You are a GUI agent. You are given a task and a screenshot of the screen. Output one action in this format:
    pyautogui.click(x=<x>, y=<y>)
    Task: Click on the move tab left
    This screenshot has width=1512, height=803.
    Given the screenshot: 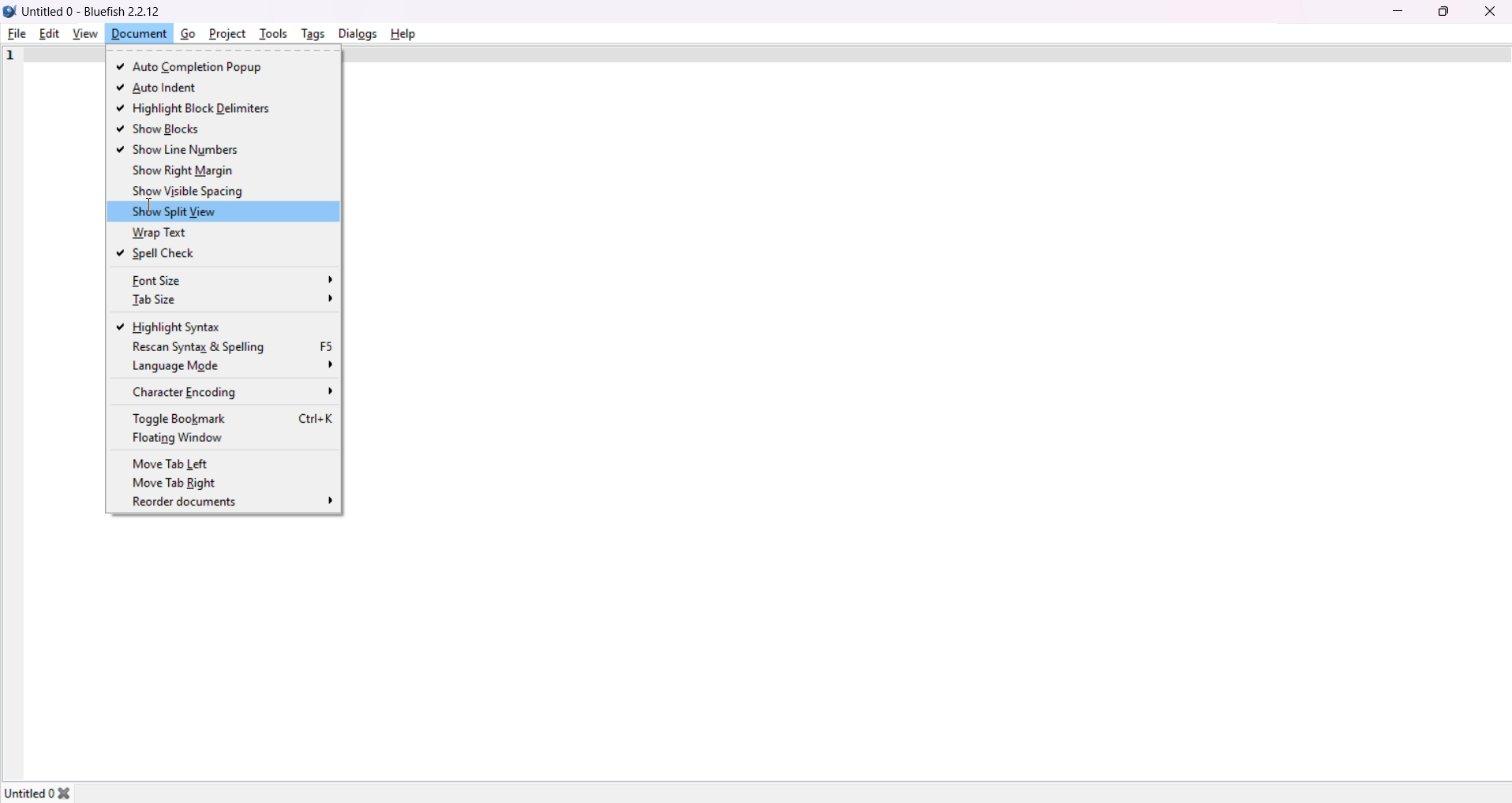 What is the action you would take?
    pyautogui.click(x=176, y=462)
    